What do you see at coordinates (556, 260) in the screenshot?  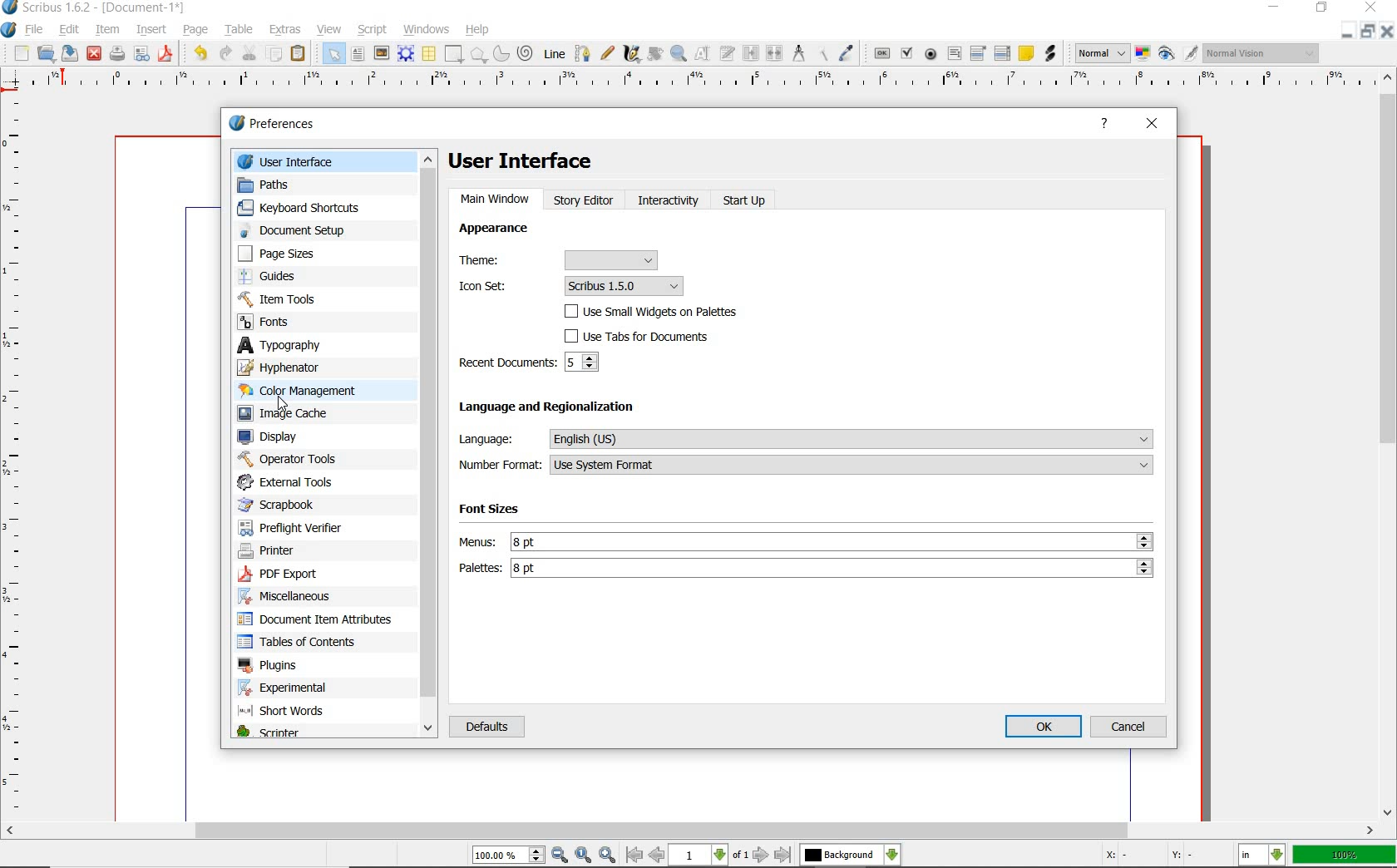 I see `Theme` at bounding box center [556, 260].